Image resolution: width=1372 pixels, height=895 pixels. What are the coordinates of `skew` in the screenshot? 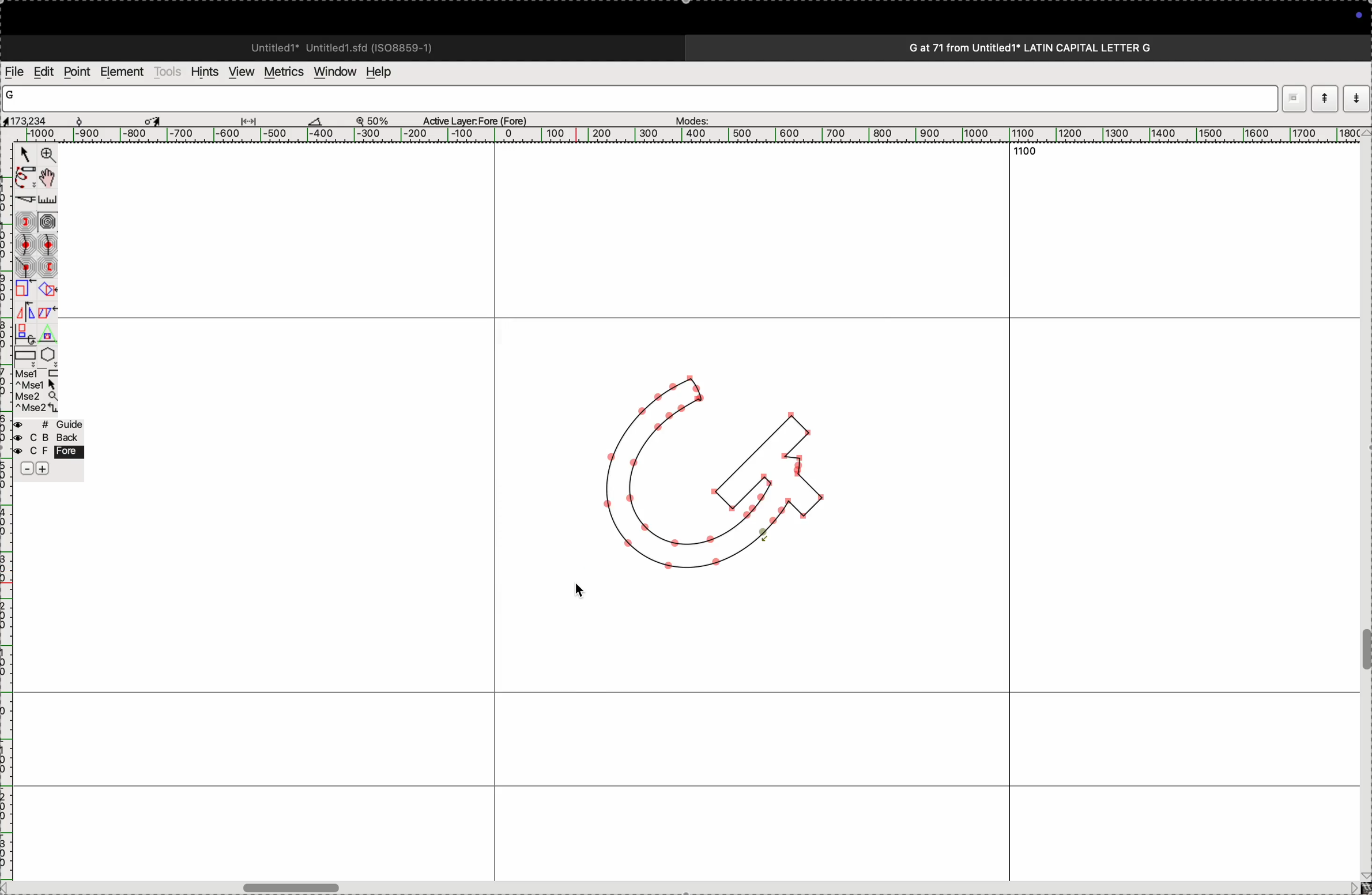 It's located at (47, 313).